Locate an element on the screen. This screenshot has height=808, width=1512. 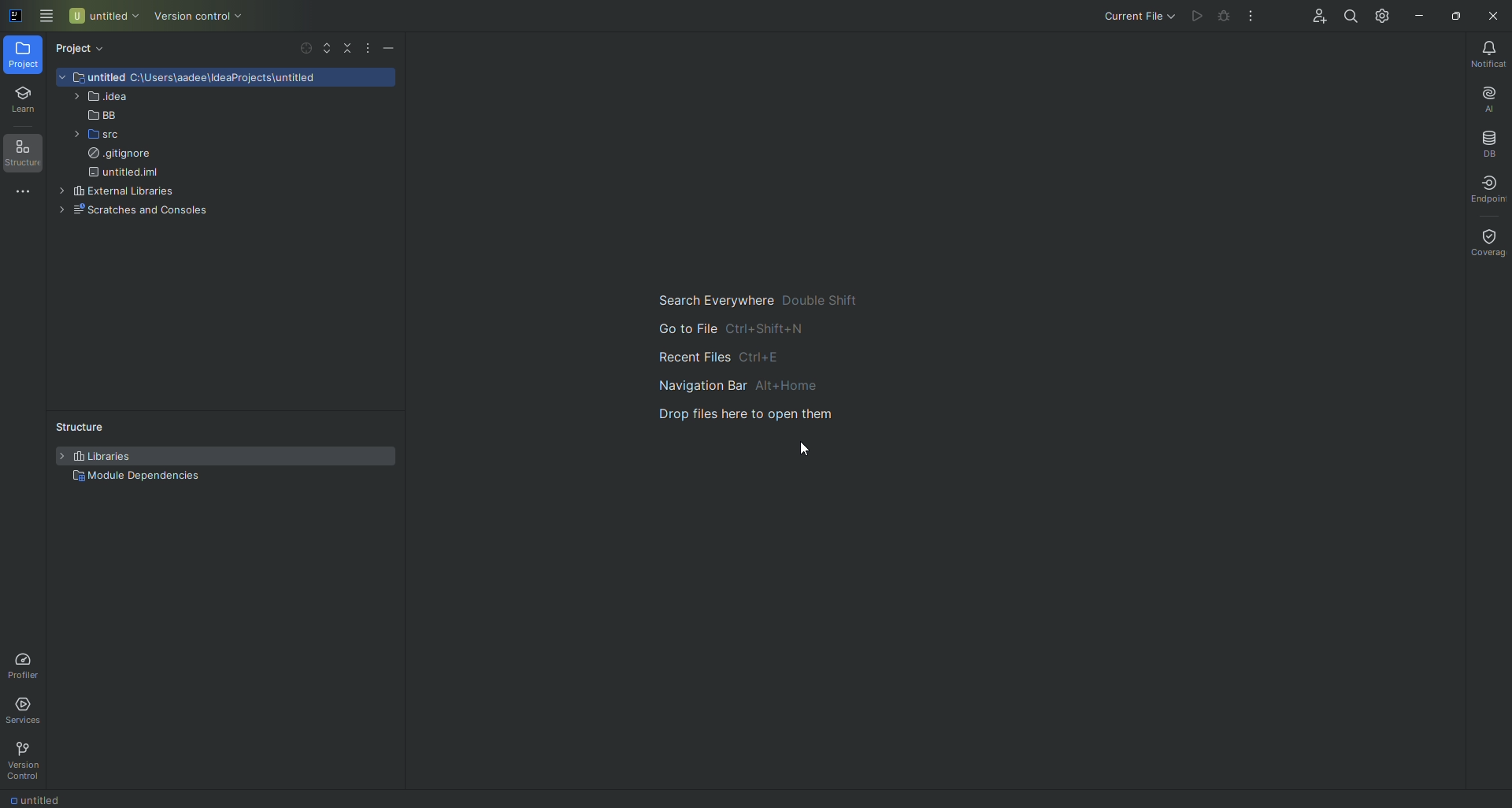
Current File is located at coordinates (1135, 15).